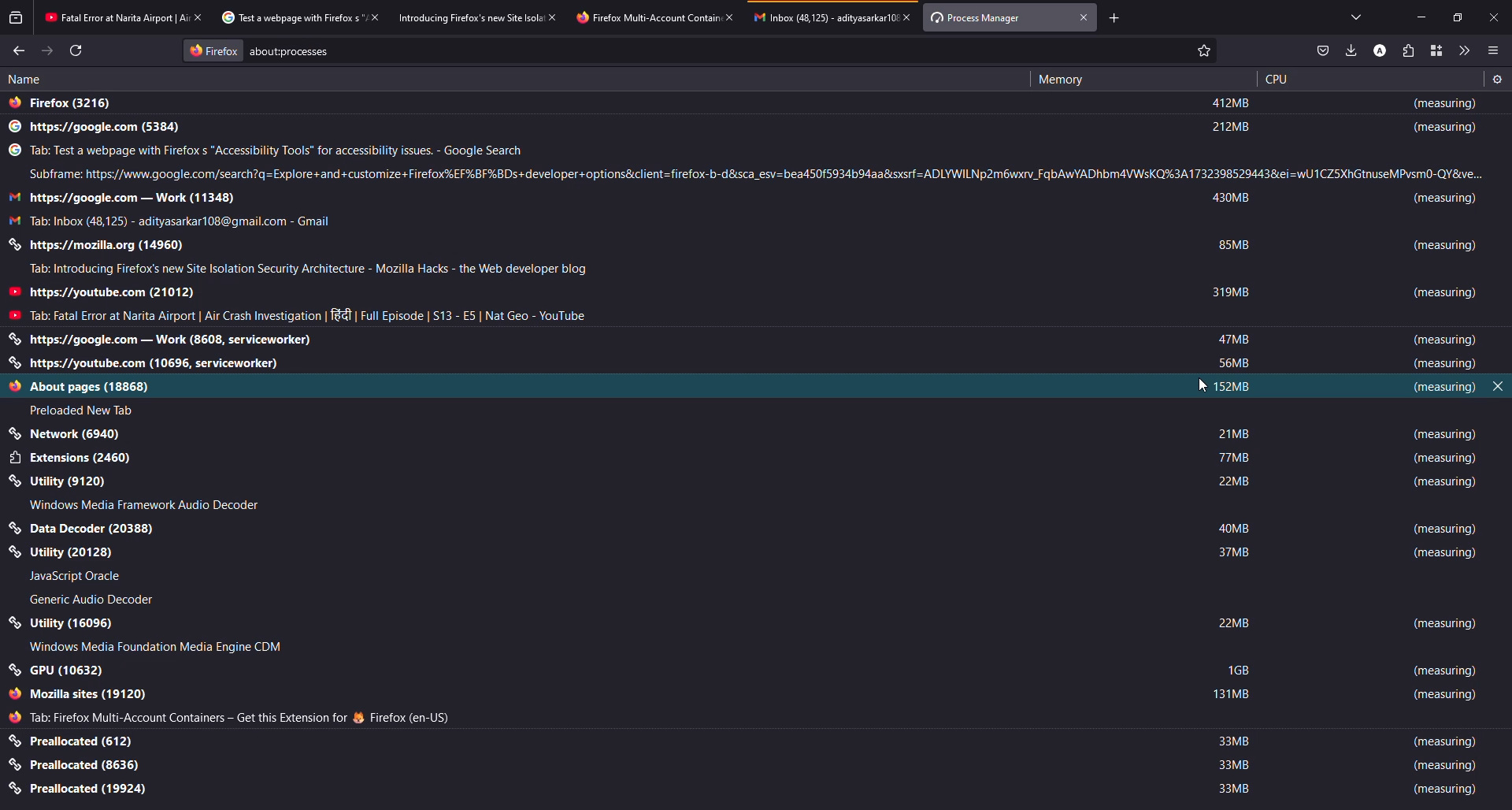  Describe the element at coordinates (1497, 385) in the screenshot. I see `close` at that location.